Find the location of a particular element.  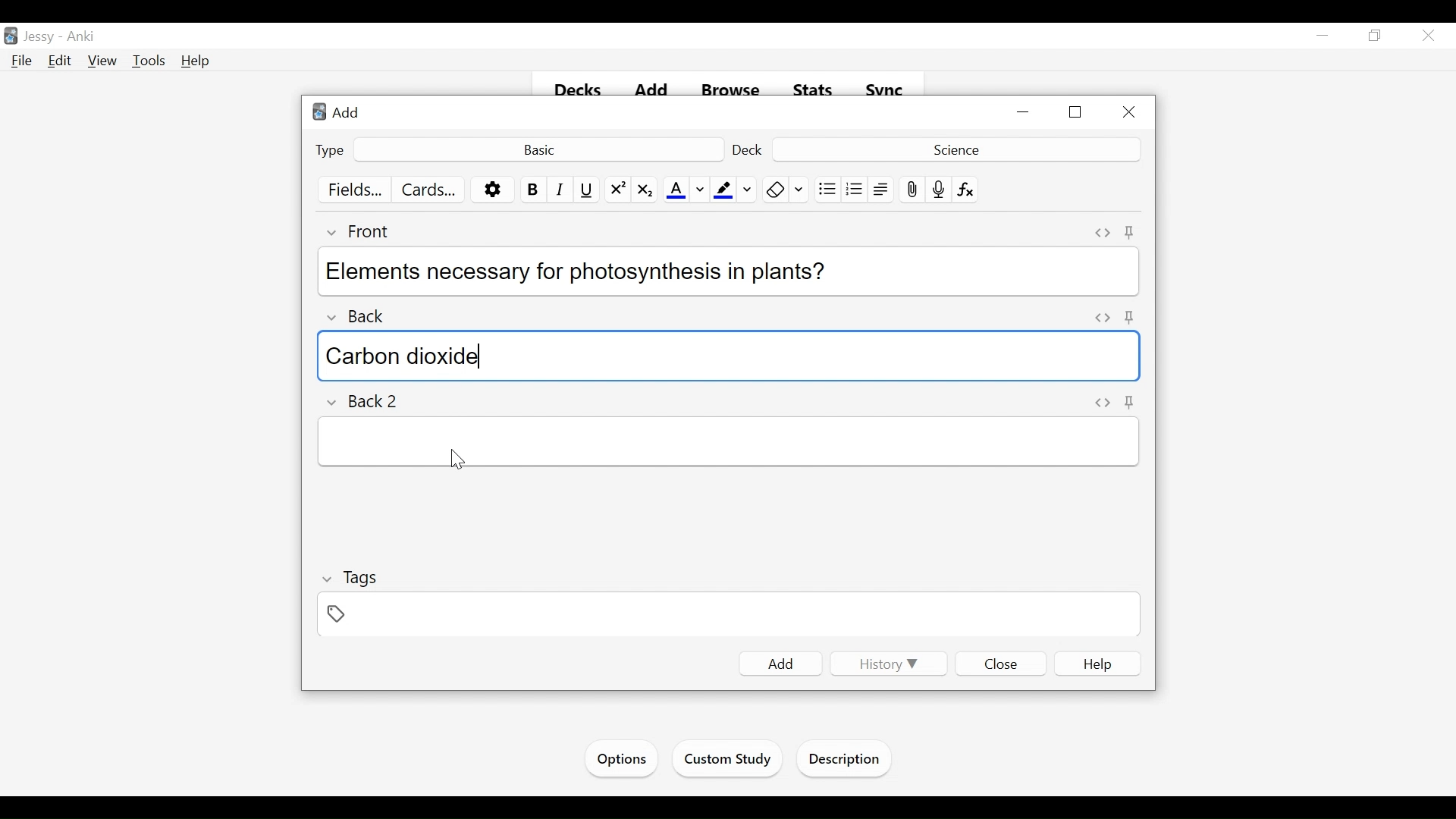

Subscript is located at coordinates (644, 190).